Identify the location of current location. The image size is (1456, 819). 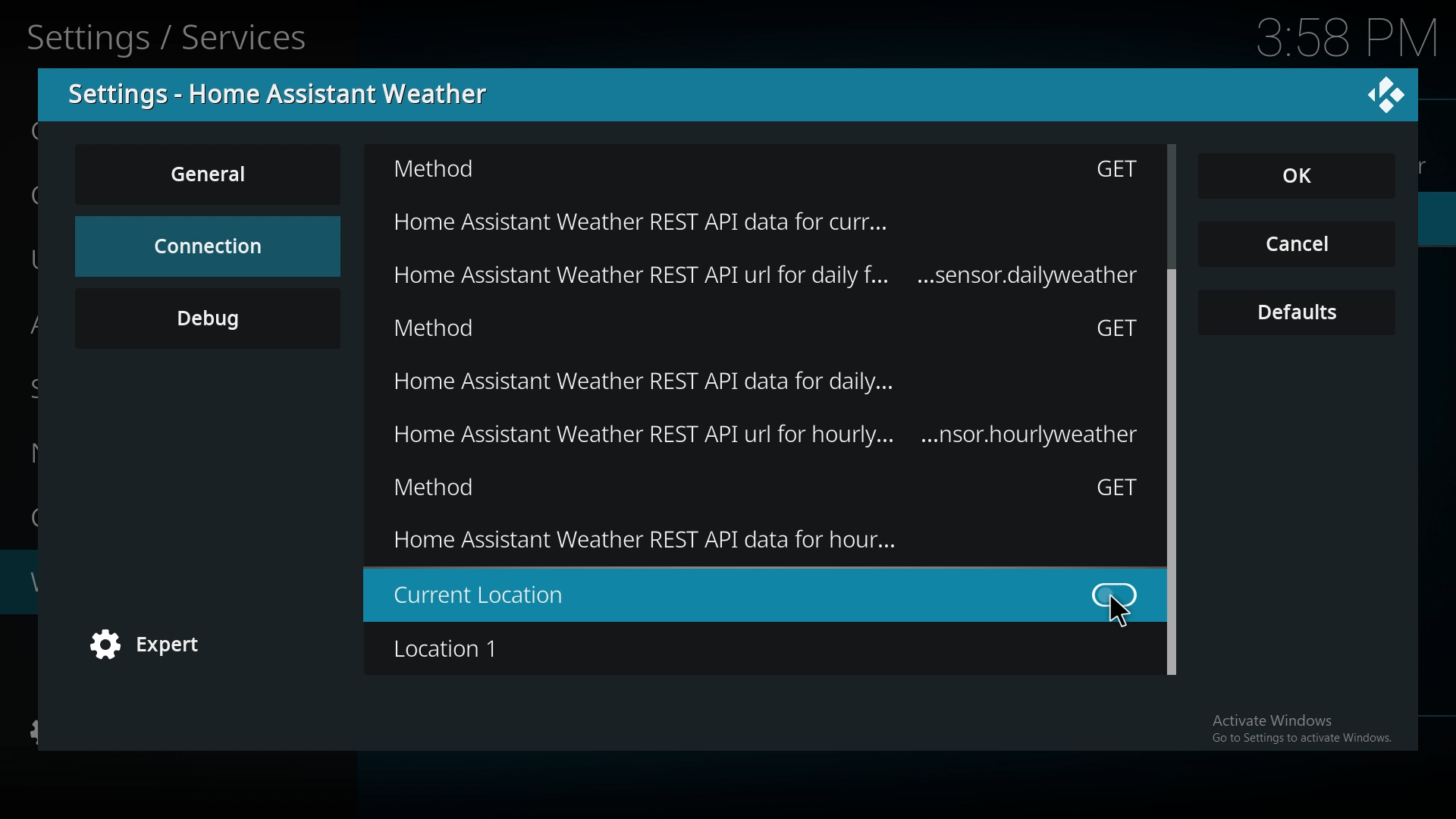
(733, 595).